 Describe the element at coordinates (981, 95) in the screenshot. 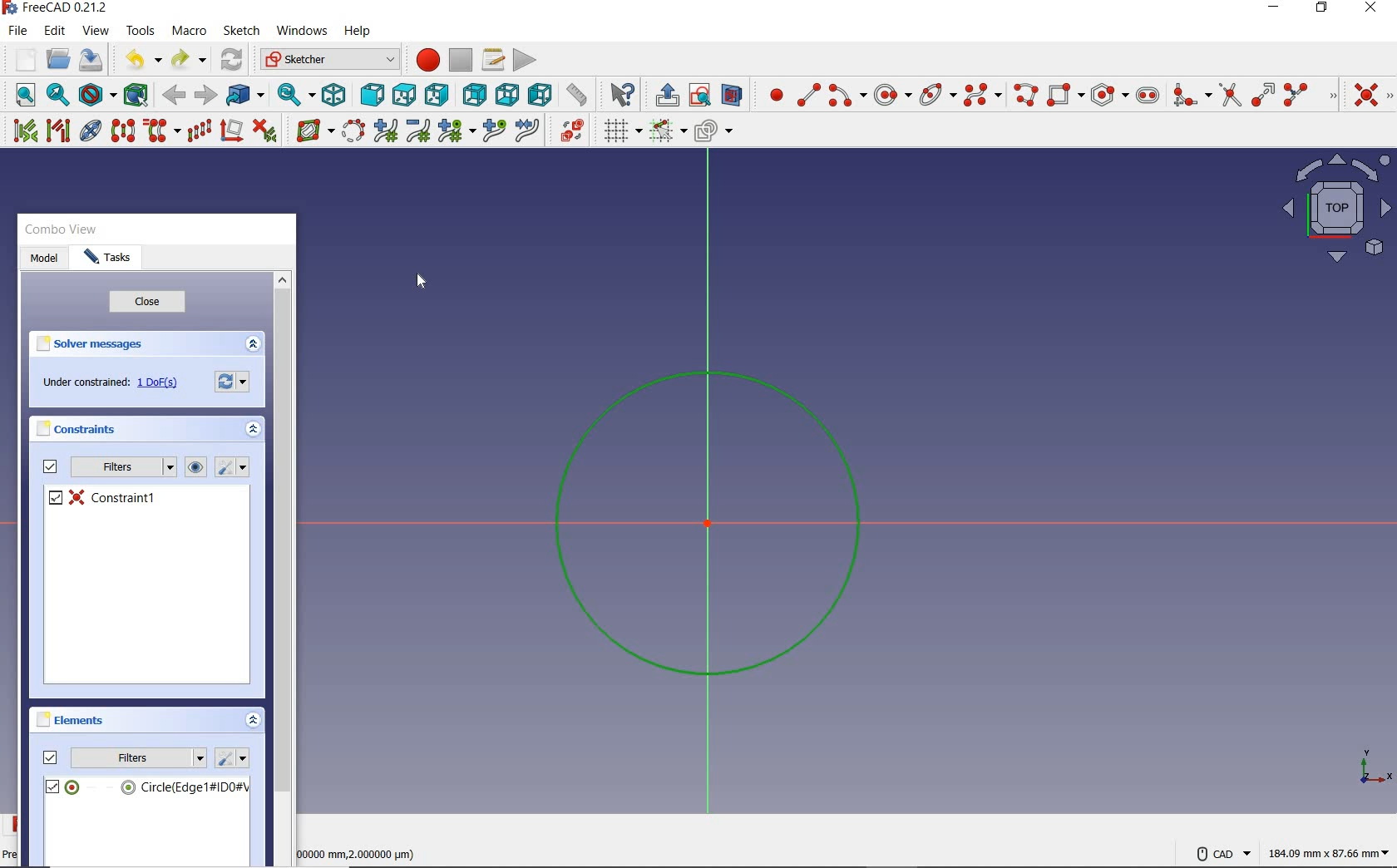

I see `create B-Spline` at that location.